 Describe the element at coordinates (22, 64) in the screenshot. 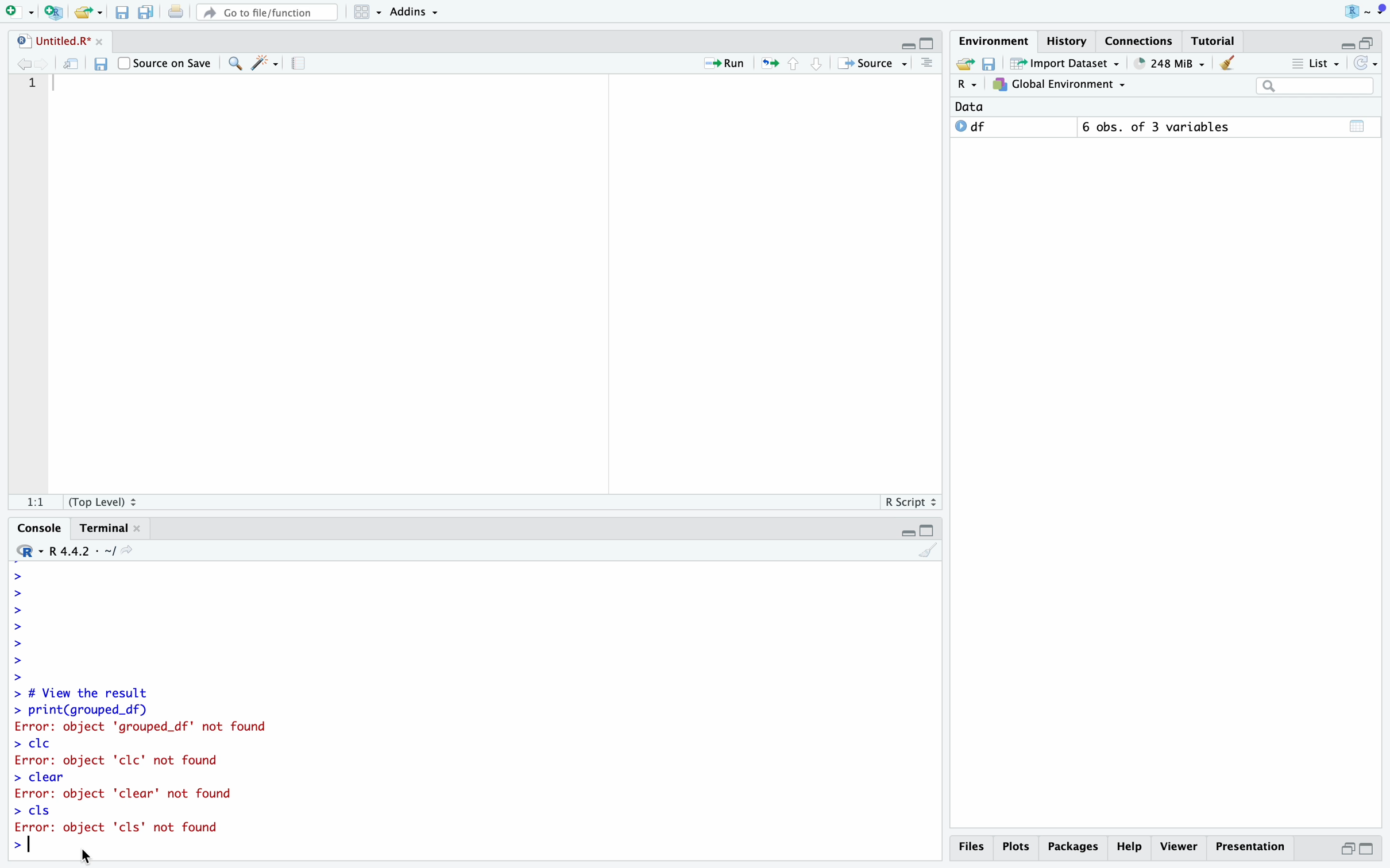

I see `Go to previous location` at that location.